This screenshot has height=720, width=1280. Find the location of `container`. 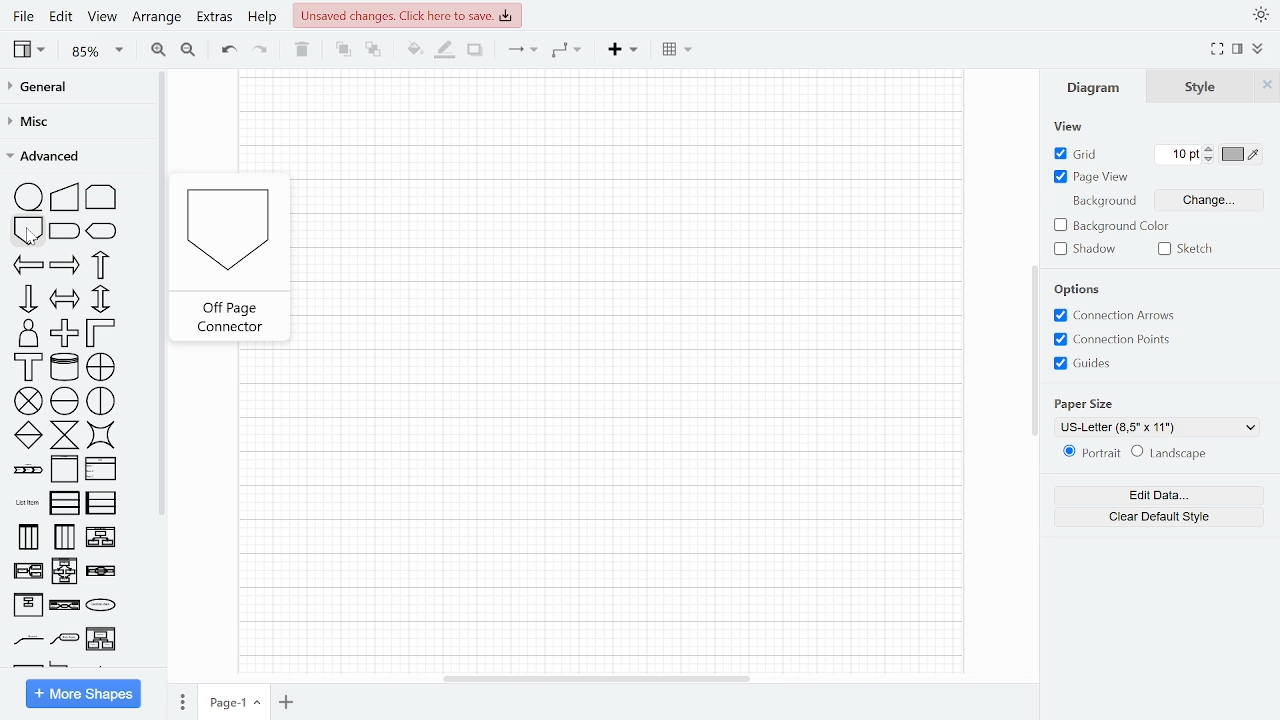

container is located at coordinates (64, 471).